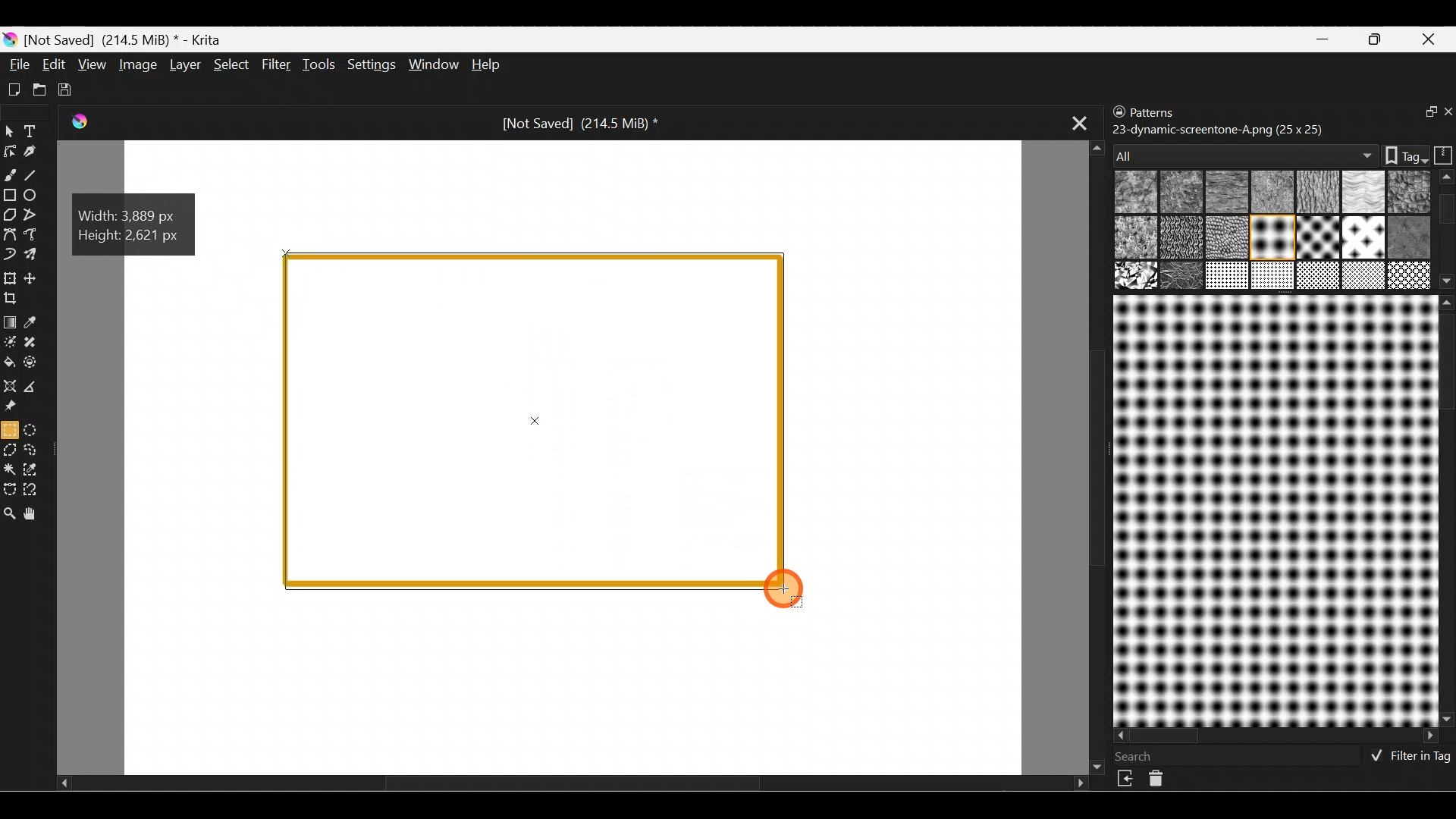 Image resolution: width=1456 pixels, height=819 pixels. I want to click on Select, so click(232, 67).